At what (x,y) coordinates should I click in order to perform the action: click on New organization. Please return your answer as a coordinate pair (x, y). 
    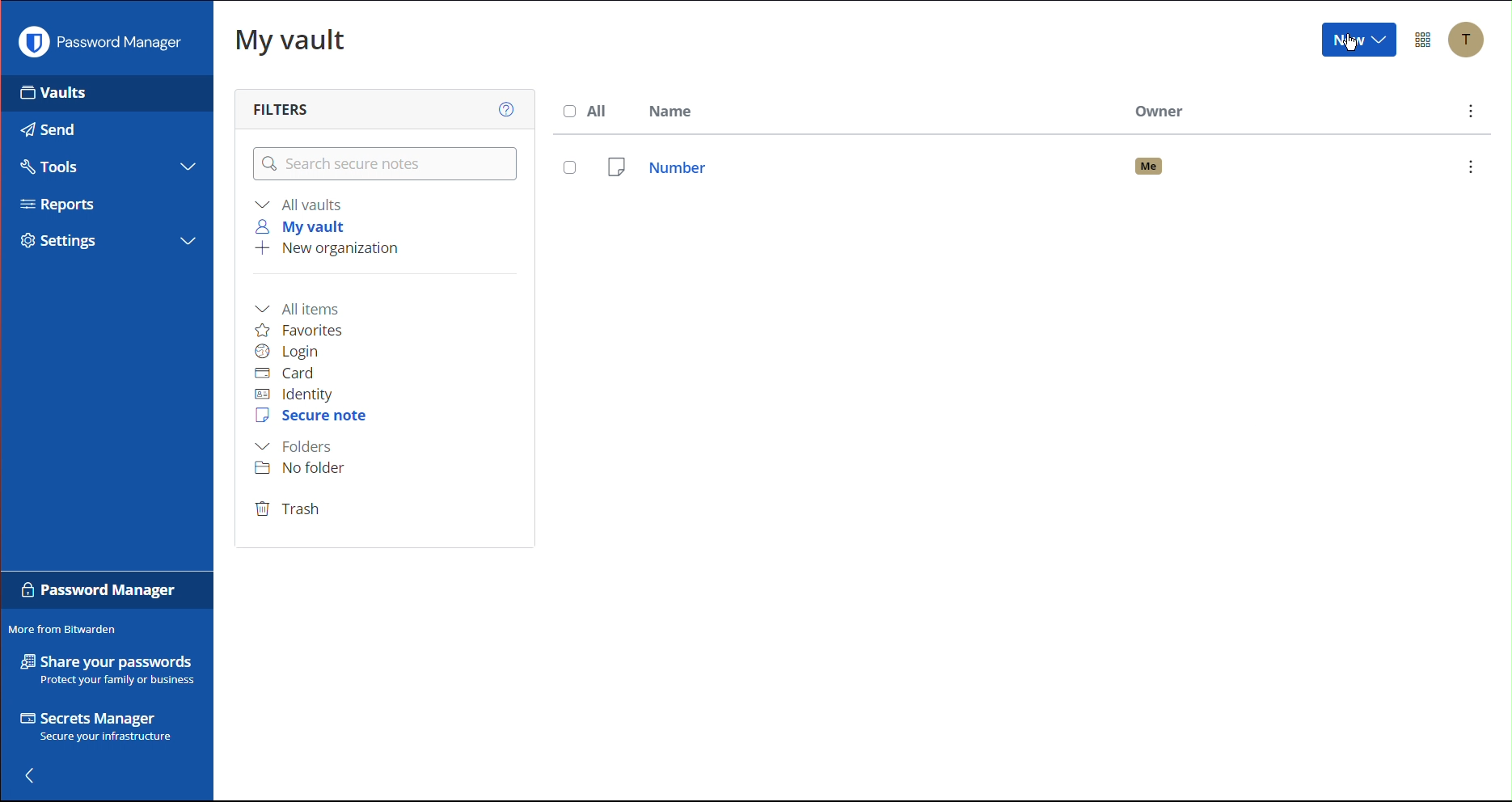
    Looking at the image, I should click on (326, 250).